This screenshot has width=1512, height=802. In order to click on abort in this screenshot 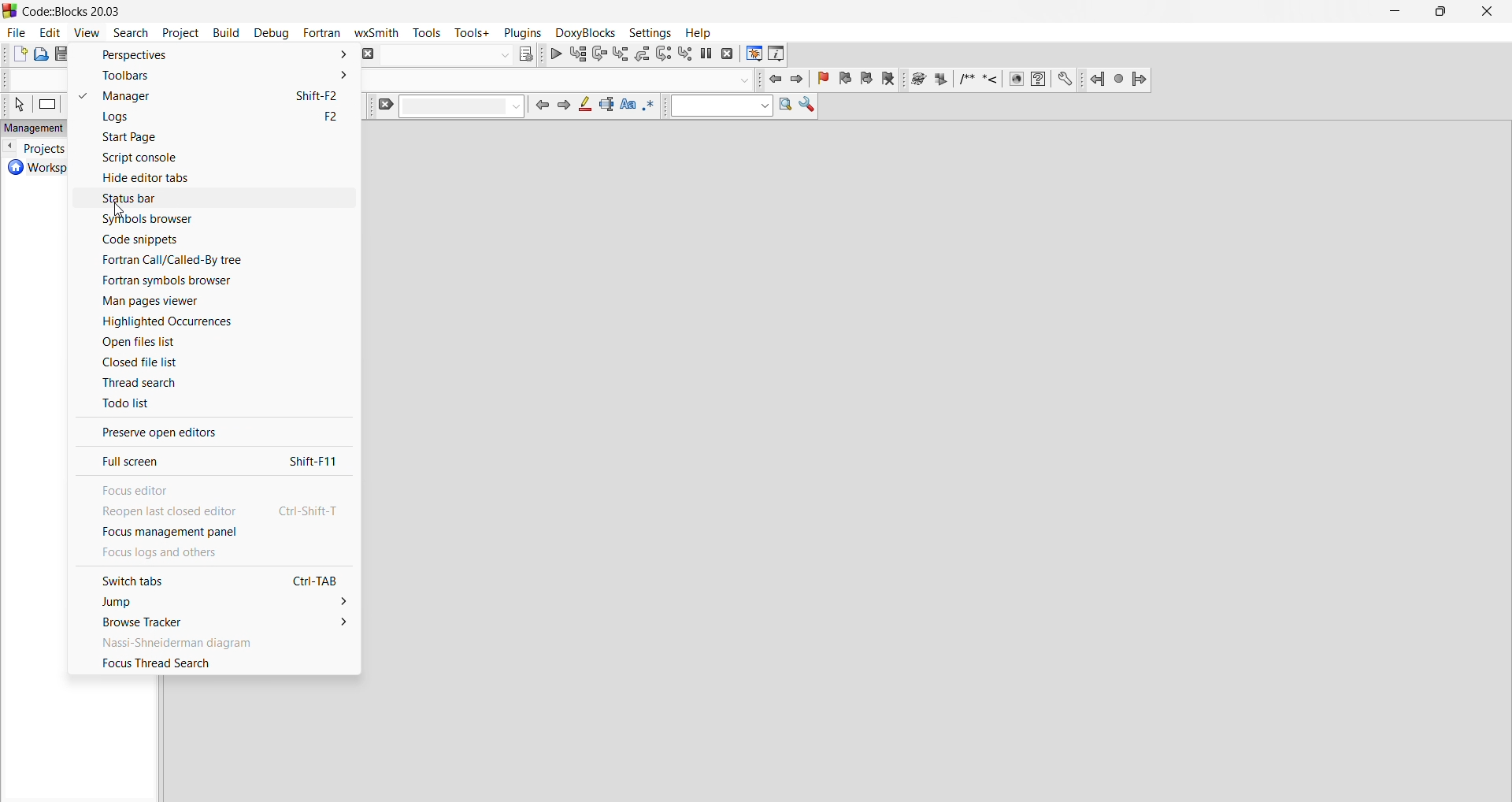, I will do `click(369, 56)`.